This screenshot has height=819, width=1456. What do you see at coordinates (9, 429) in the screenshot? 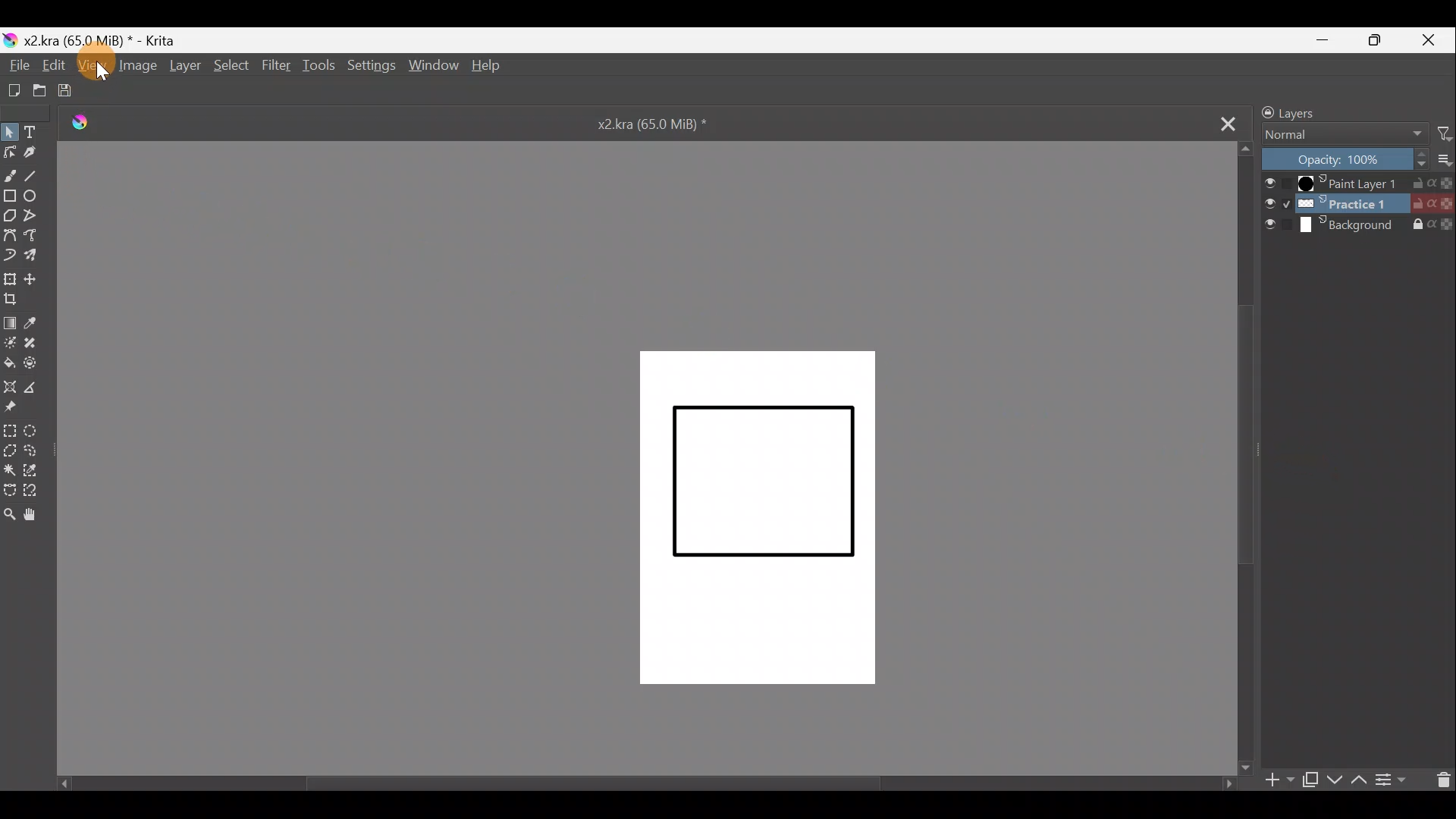
I see `Rectangular selection tool` at bounding box center [9, 429].